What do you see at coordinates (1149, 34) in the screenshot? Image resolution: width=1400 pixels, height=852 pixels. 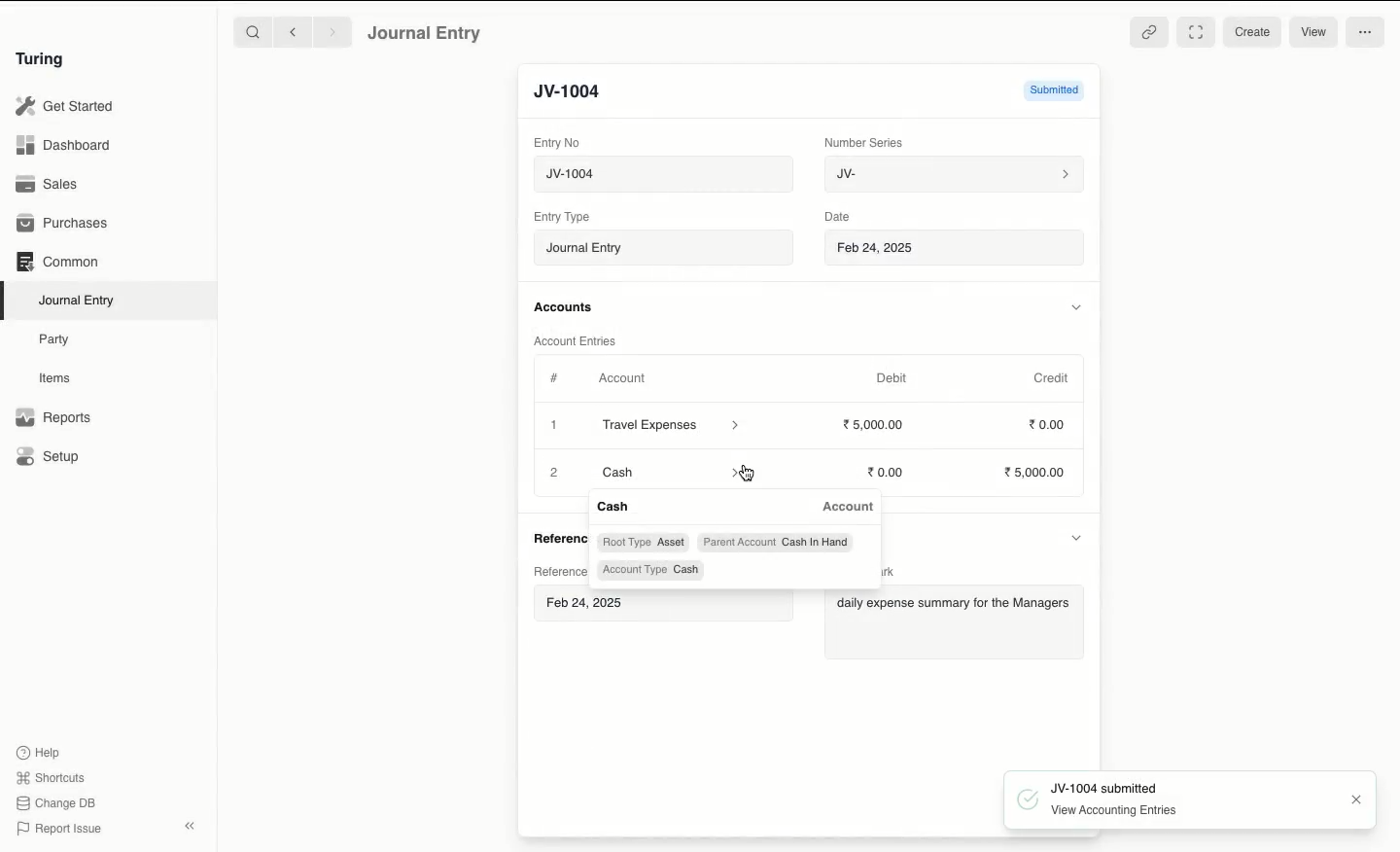 I see `Attachment` at bounding box center [1149, 34].